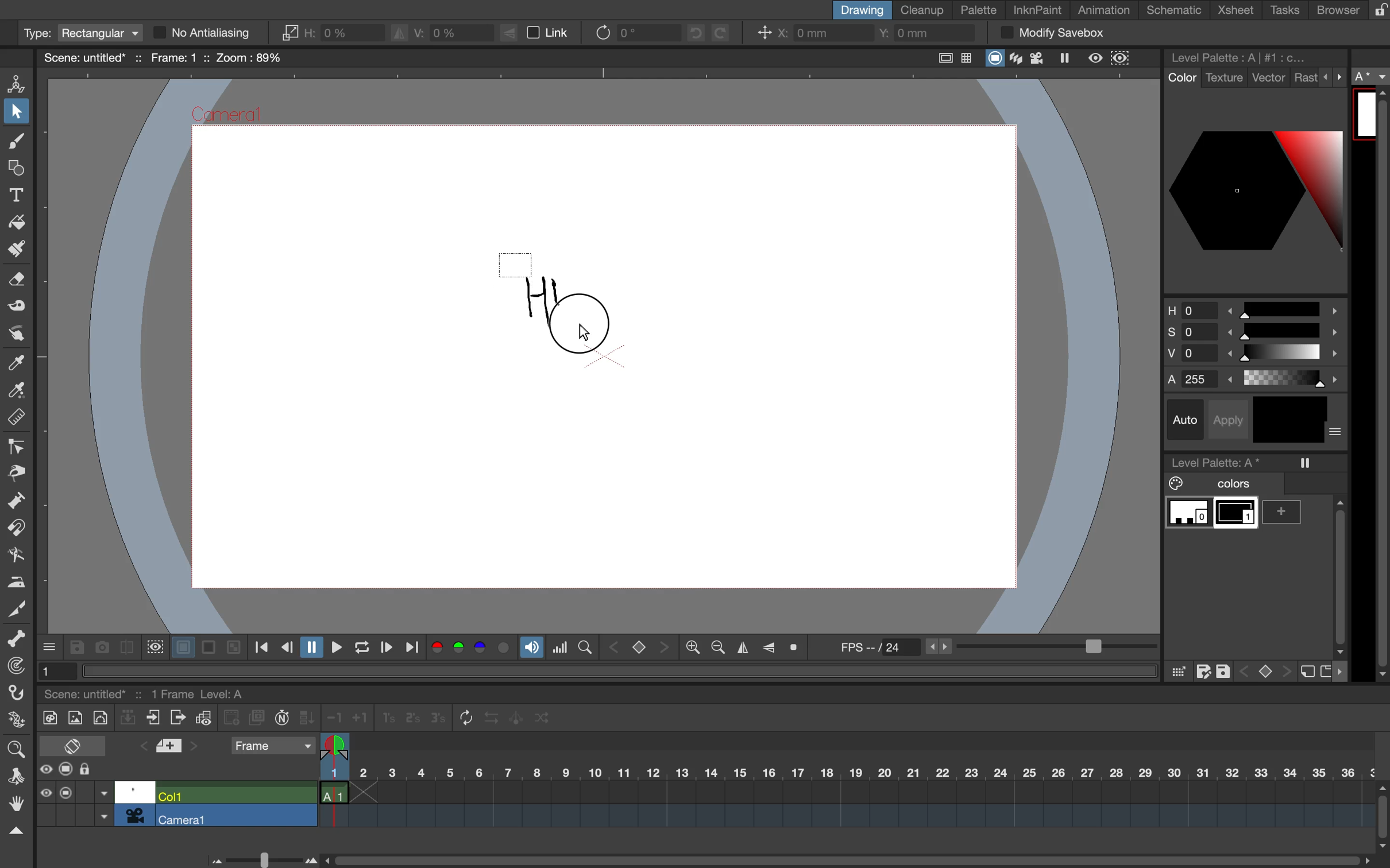 The height and width of the screenshot is (868, 1390). I want to click on timeline scale, so click(845, 788).